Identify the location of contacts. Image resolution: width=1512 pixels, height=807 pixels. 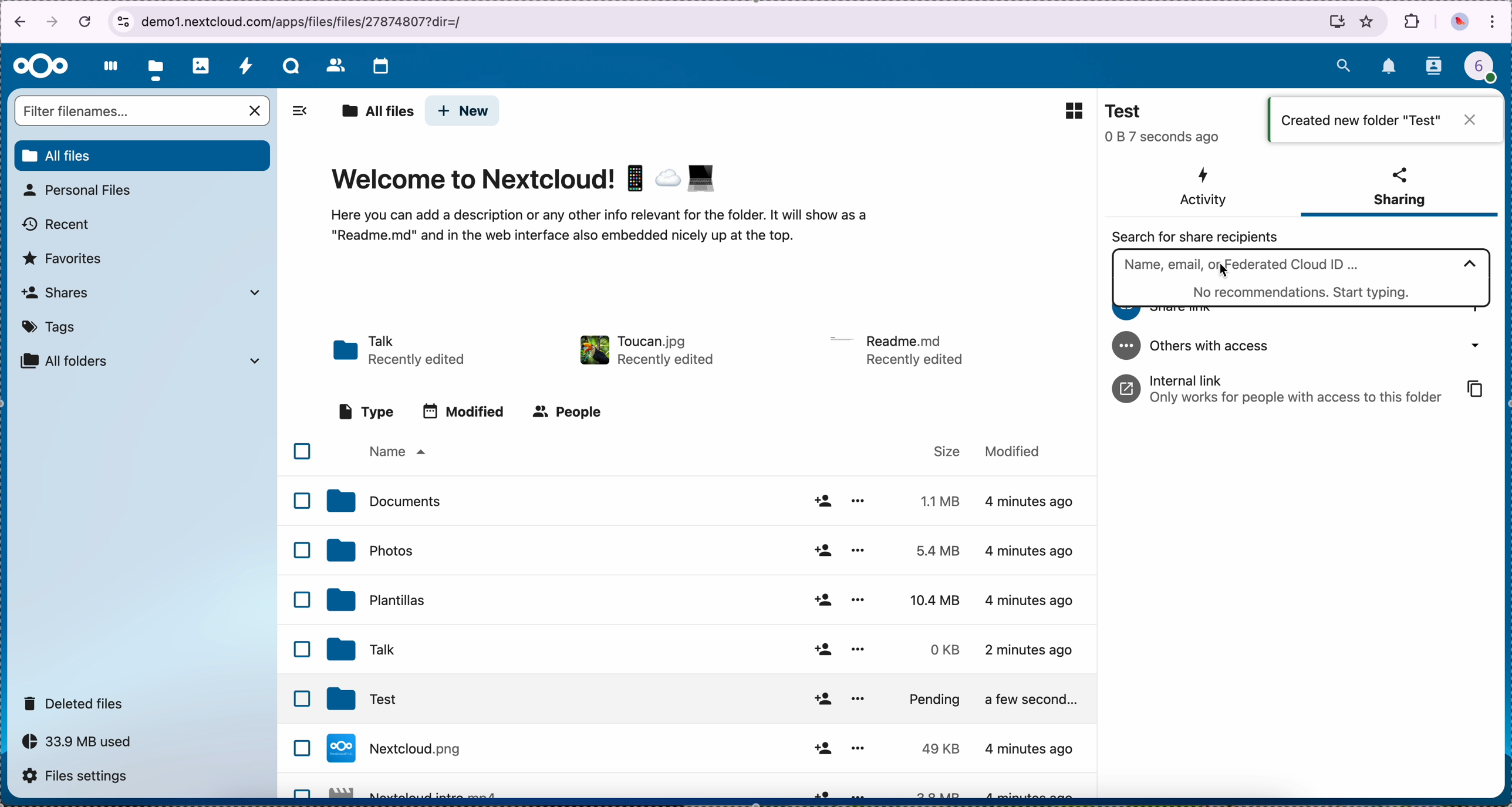
(1435, 67).